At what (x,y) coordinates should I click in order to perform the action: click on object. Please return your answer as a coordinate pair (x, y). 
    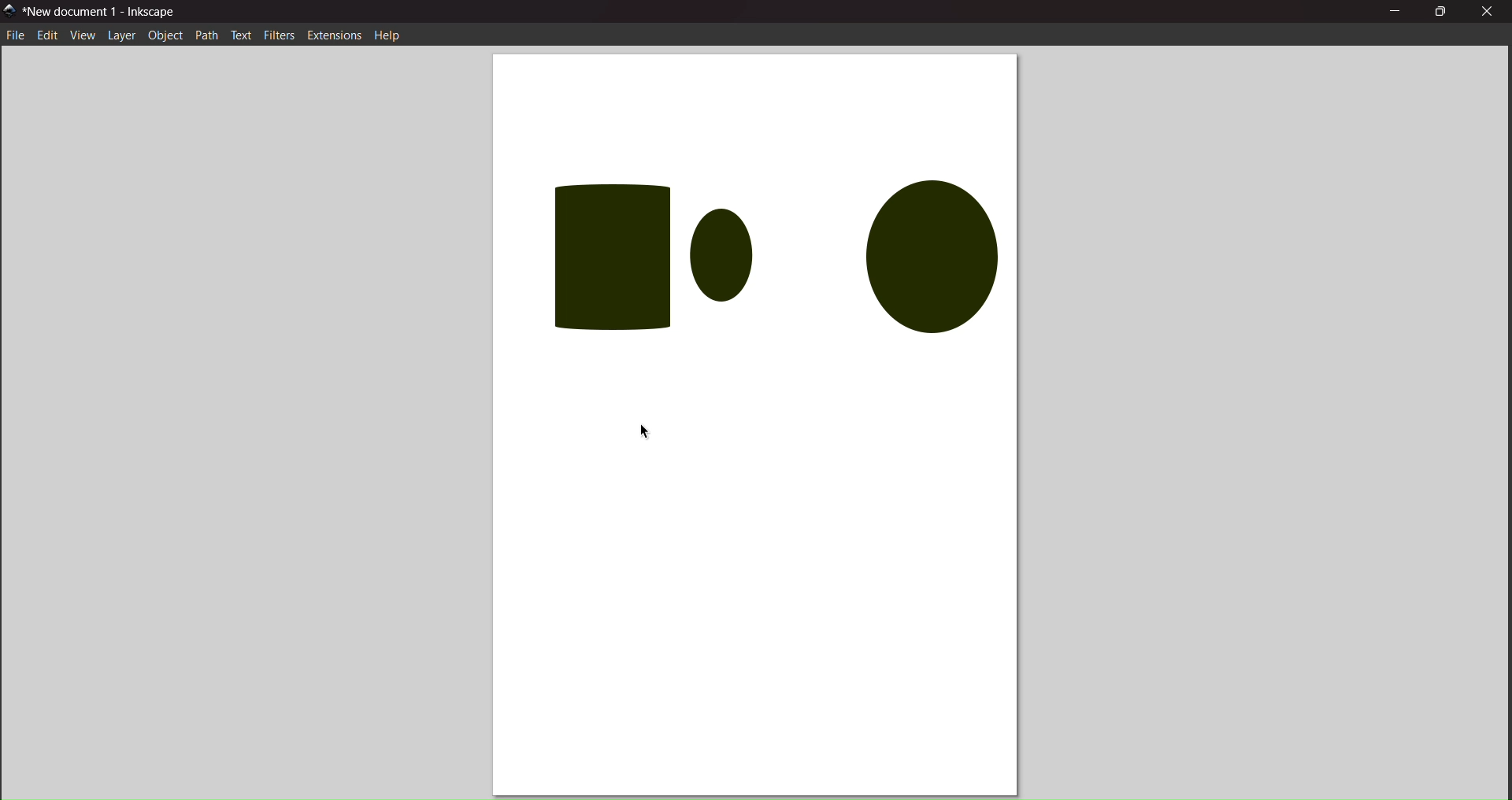
    Looking at the image, I should click on (165, 35).